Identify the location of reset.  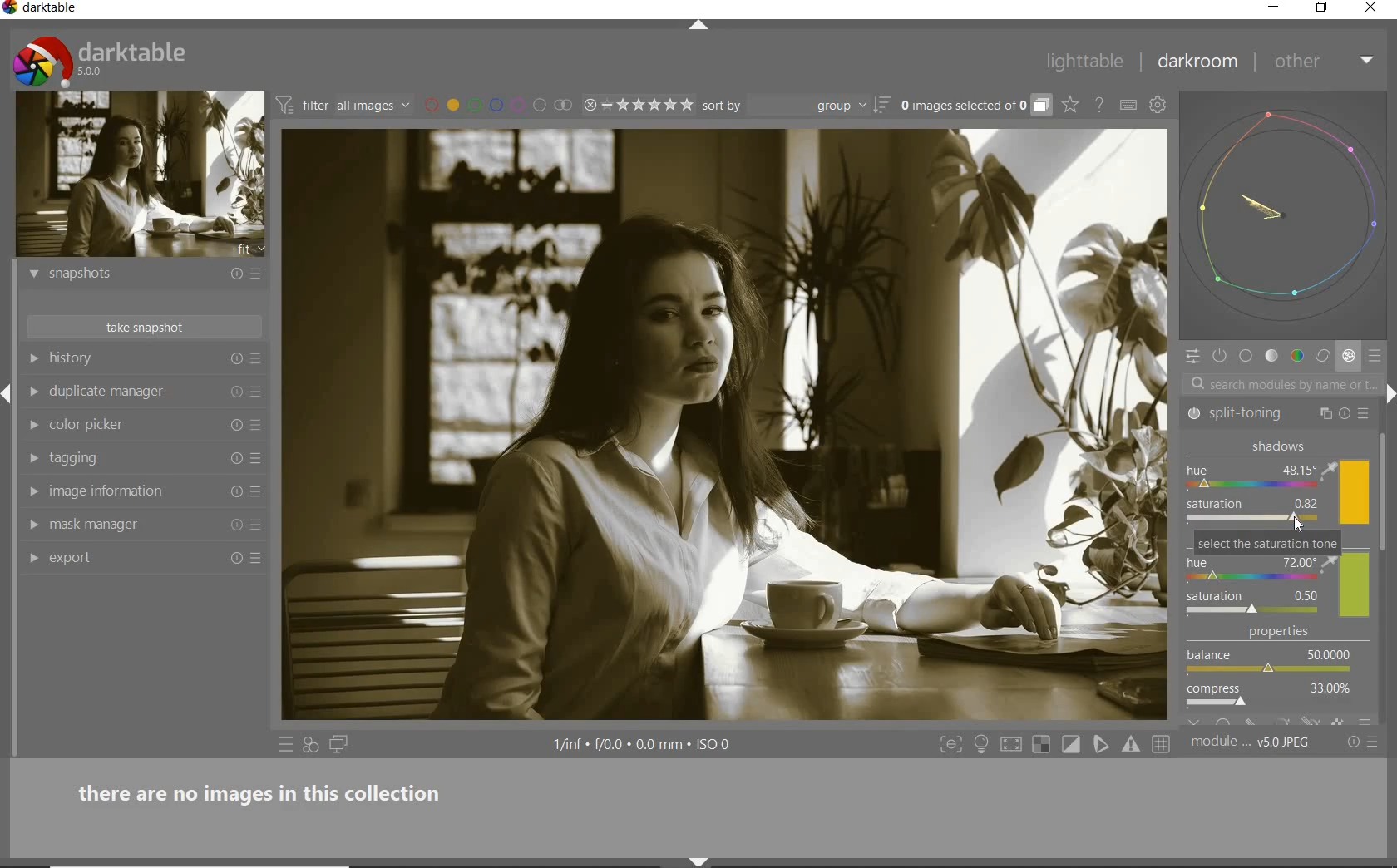
(234, 492).